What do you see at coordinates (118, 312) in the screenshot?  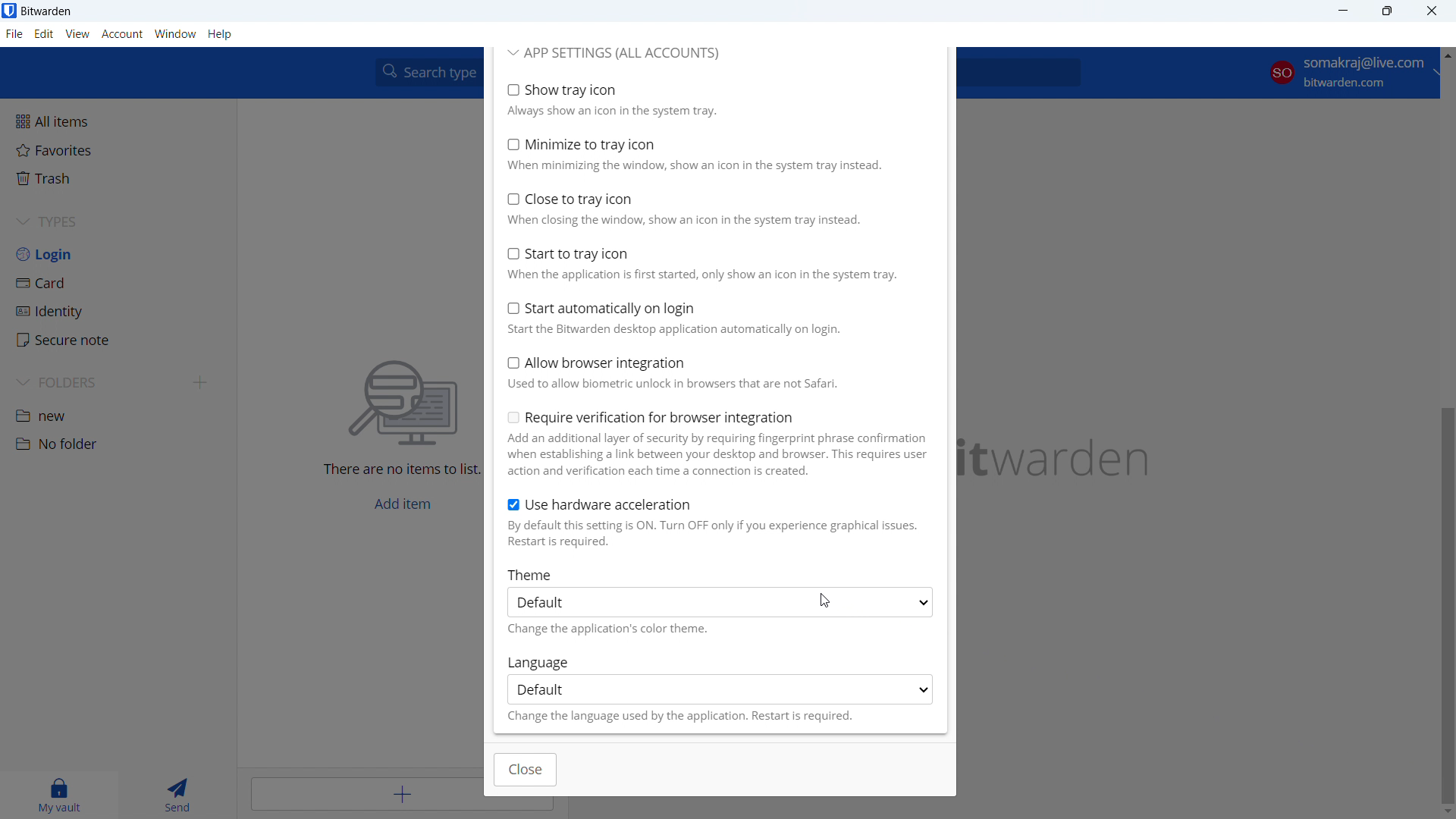 I see `identity` at bounding box center [118, 312].